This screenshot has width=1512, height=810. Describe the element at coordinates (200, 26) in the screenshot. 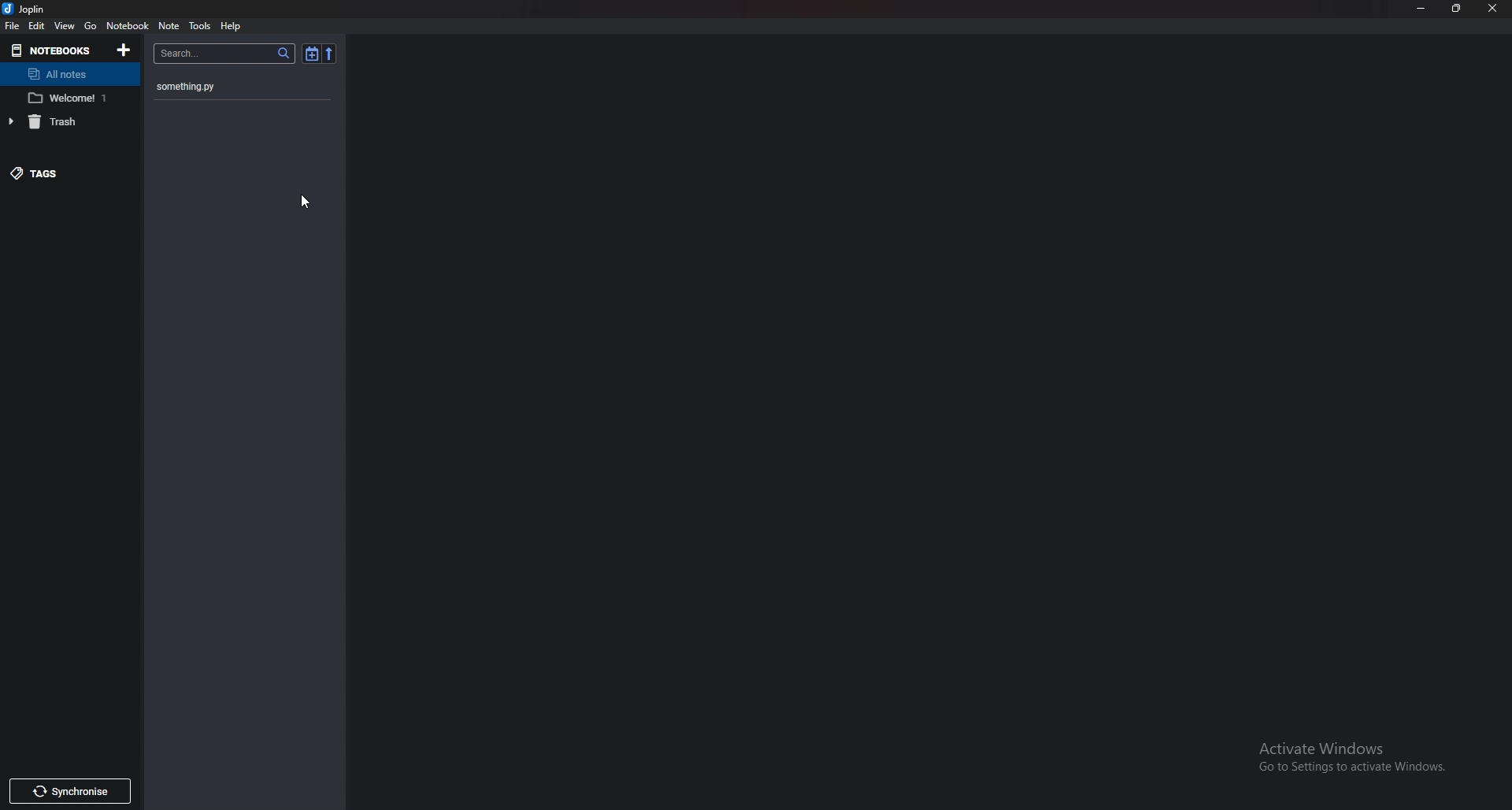

I see `Tools` at that location.